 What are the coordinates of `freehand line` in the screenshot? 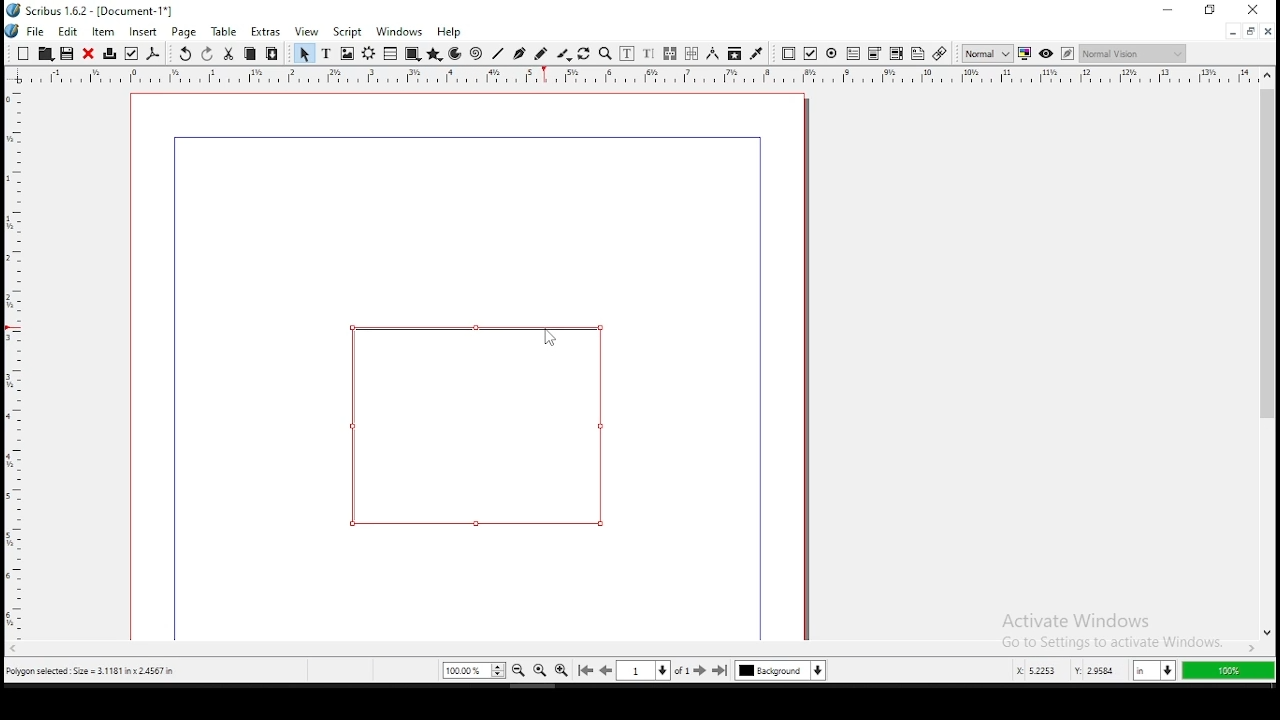 It's located at (541, 53).